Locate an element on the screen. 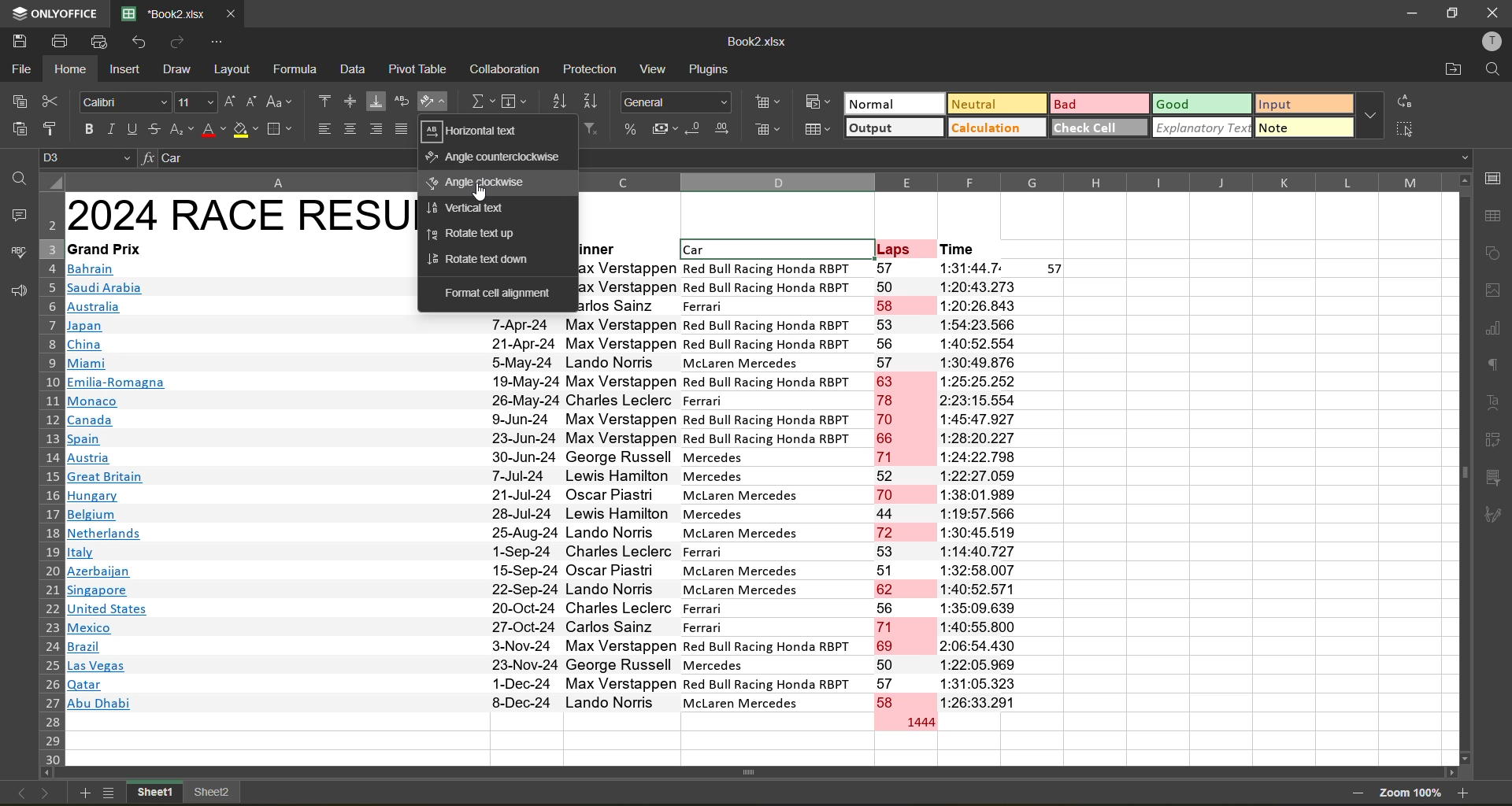 The width and height of the screenshot is (1512, 806). text is located at coordinates (1495, 402).